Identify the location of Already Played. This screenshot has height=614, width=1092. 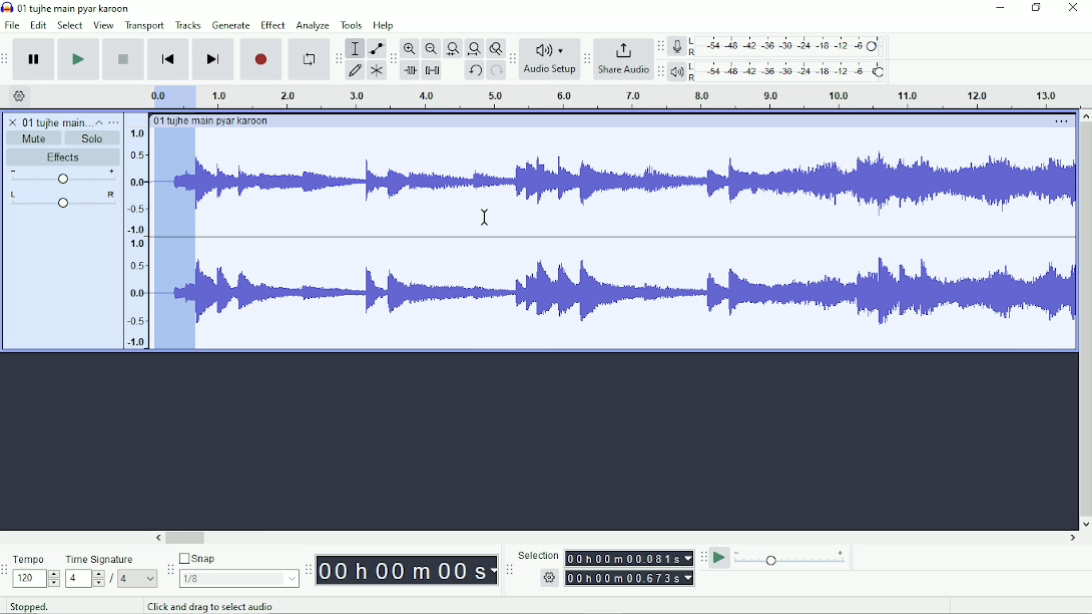
(169, 96).